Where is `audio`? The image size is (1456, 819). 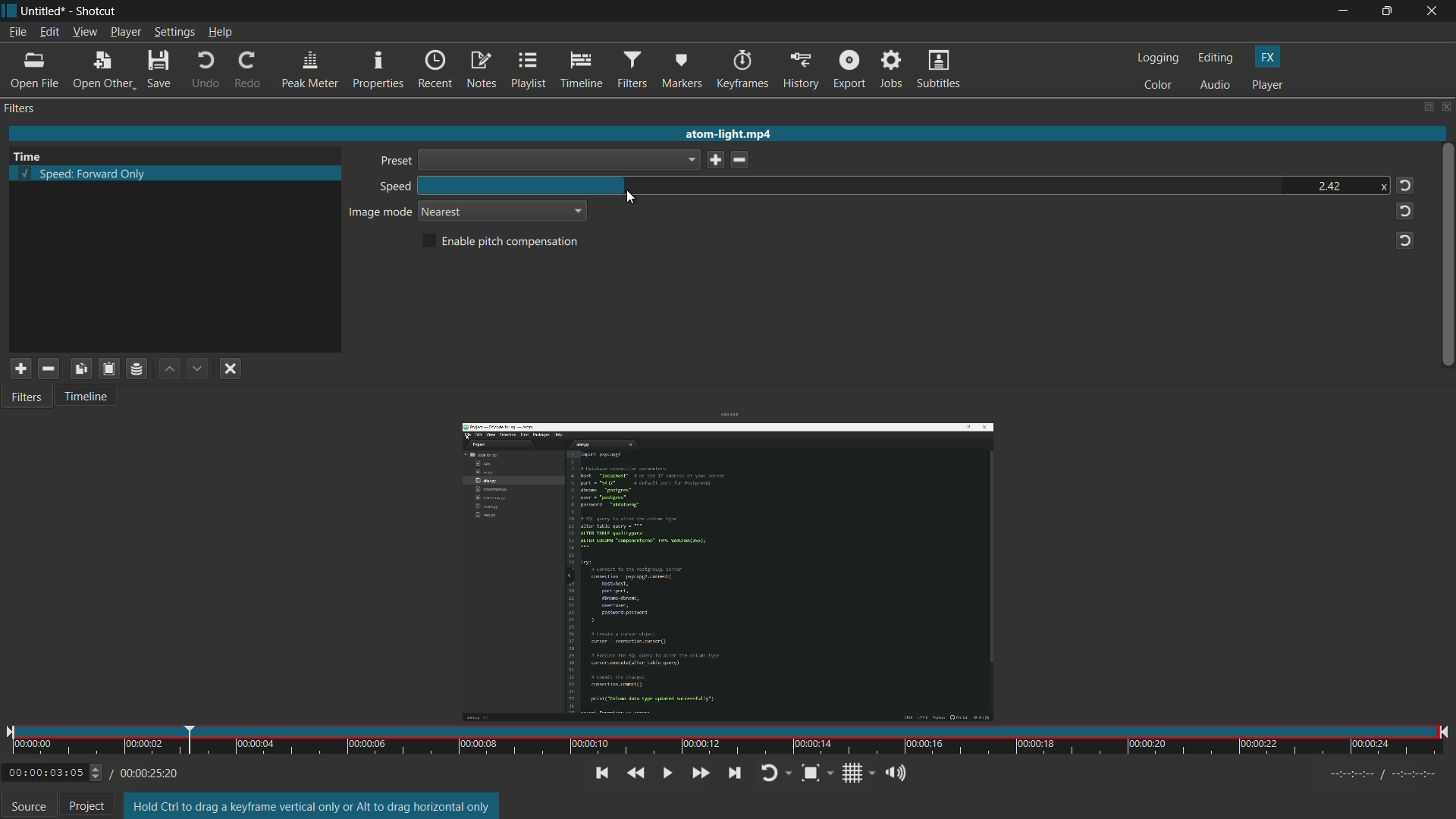
audio is located at coordinates (1216, 86).